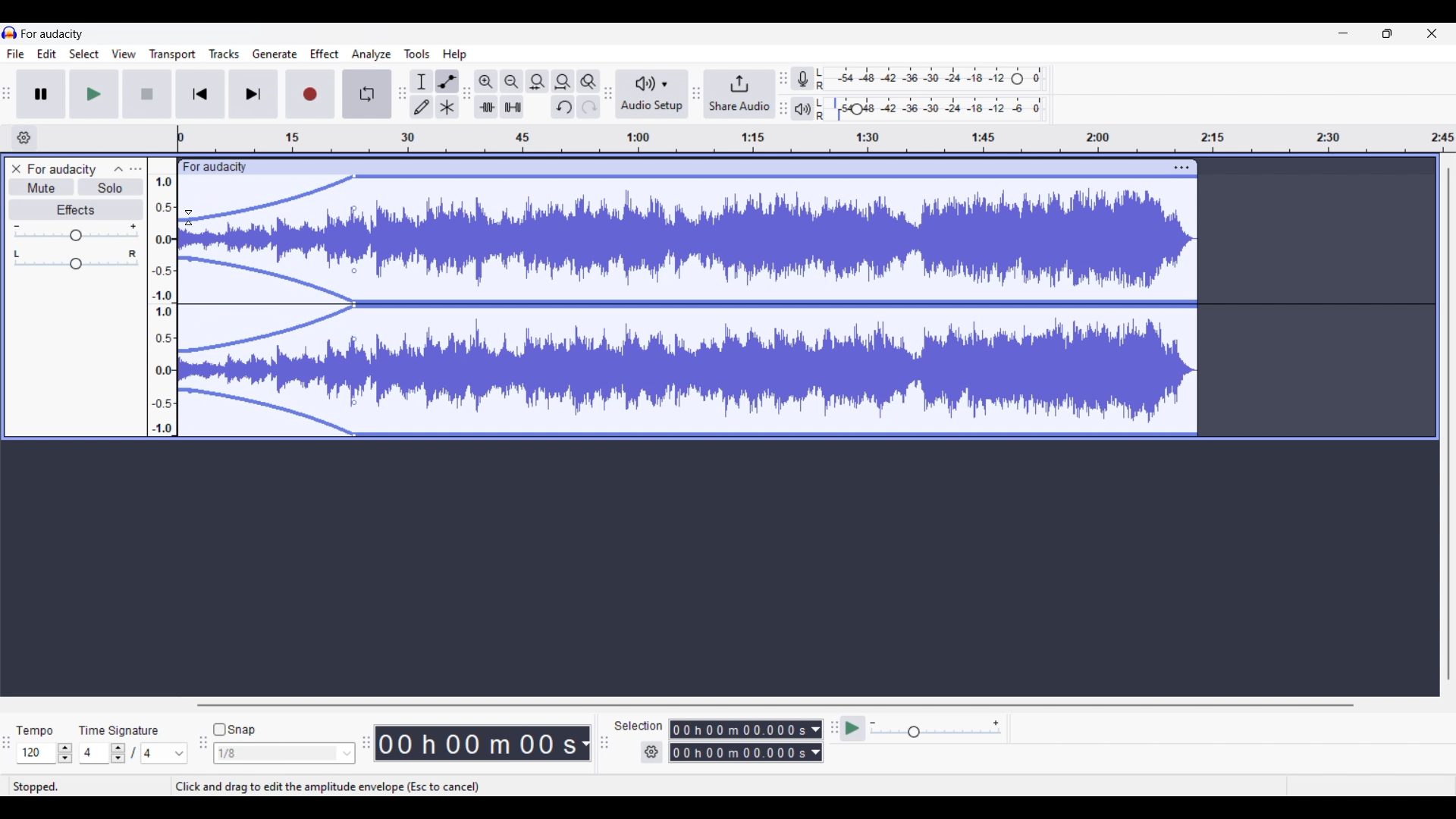  I want to click on Audio setup, so click(652, 94).